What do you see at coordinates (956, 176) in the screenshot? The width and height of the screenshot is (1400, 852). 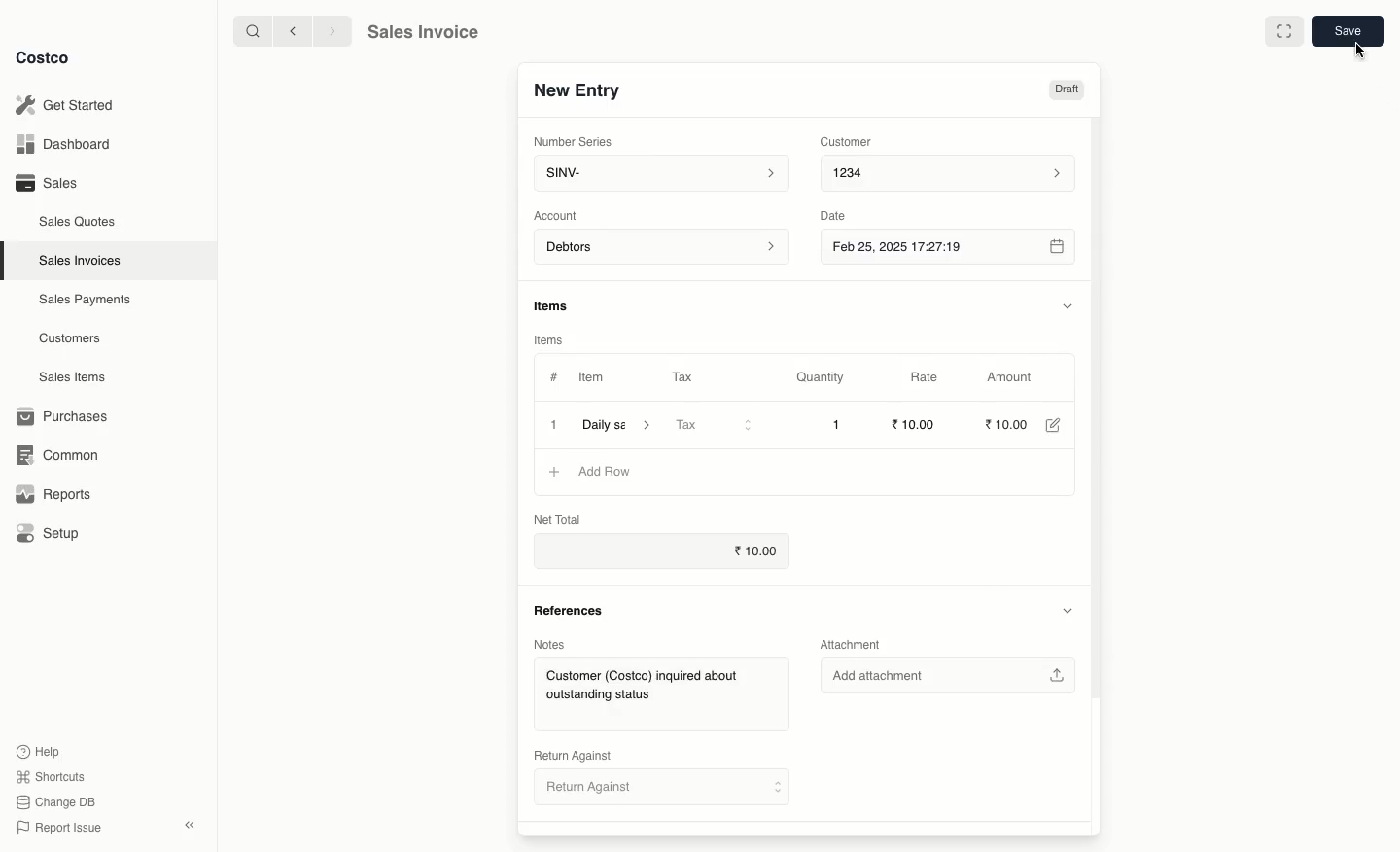 I see `1234` at bounding box center [956, 176].